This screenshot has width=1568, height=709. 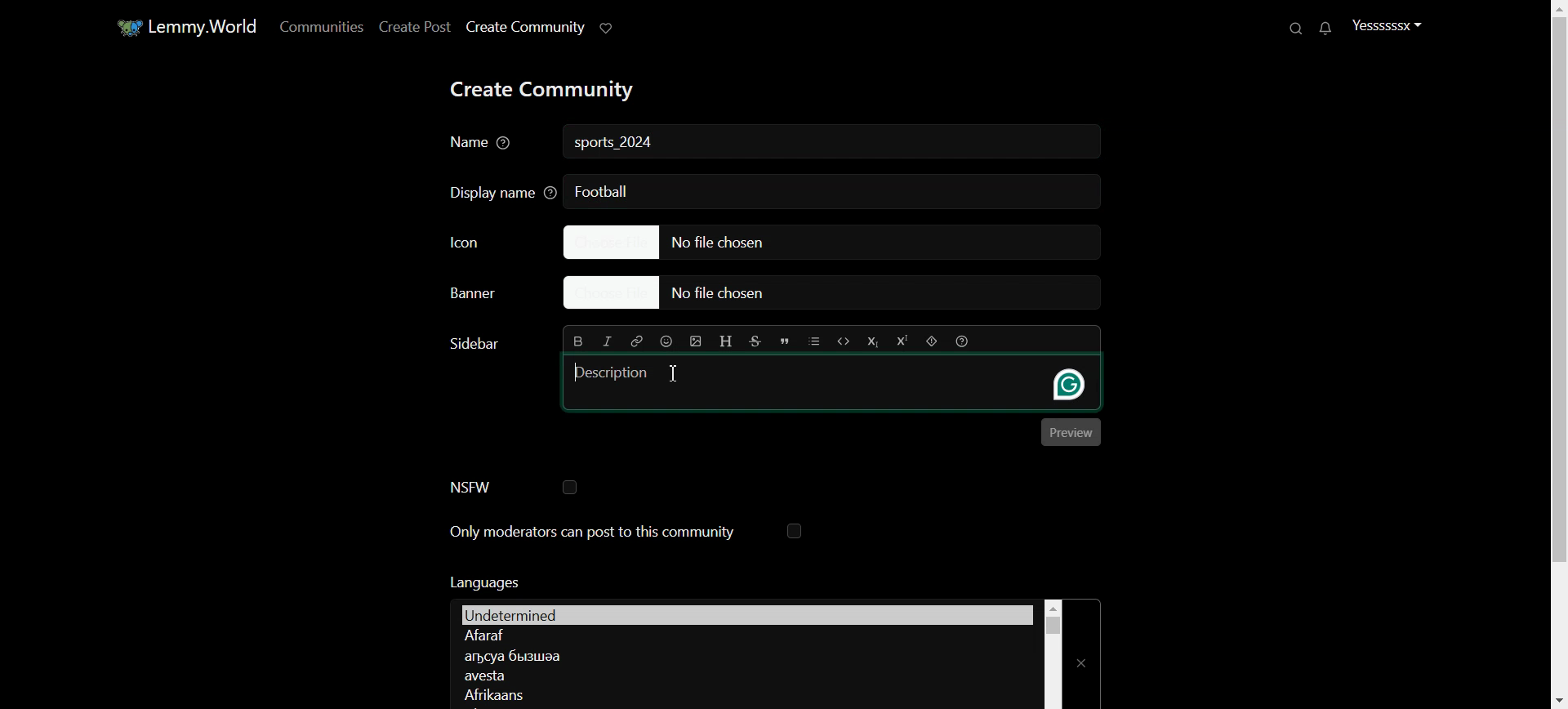 I want to click on Name, so click(x=483, y=144).